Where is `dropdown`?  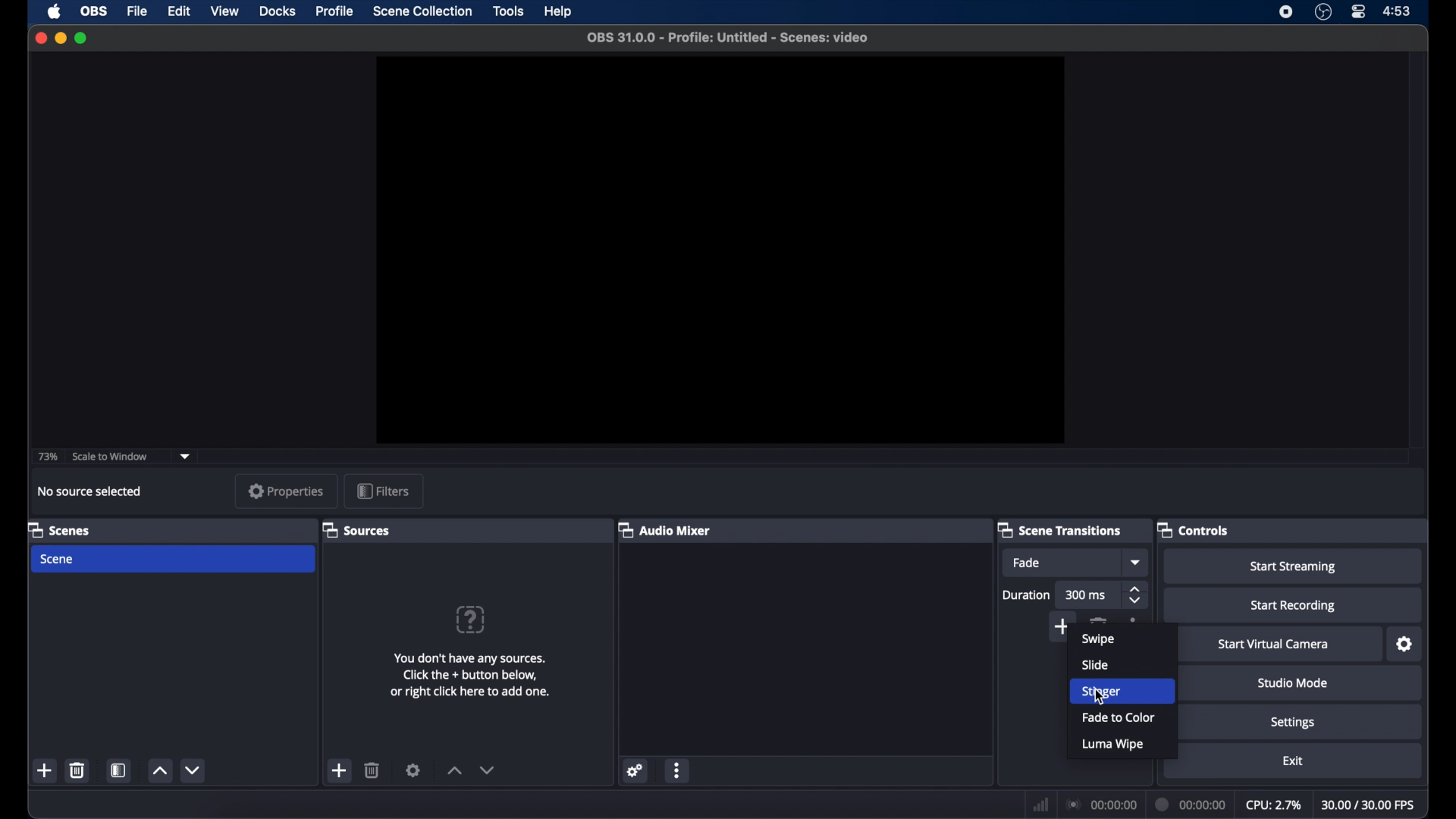
dropdown is located at coordinates (185, 456).